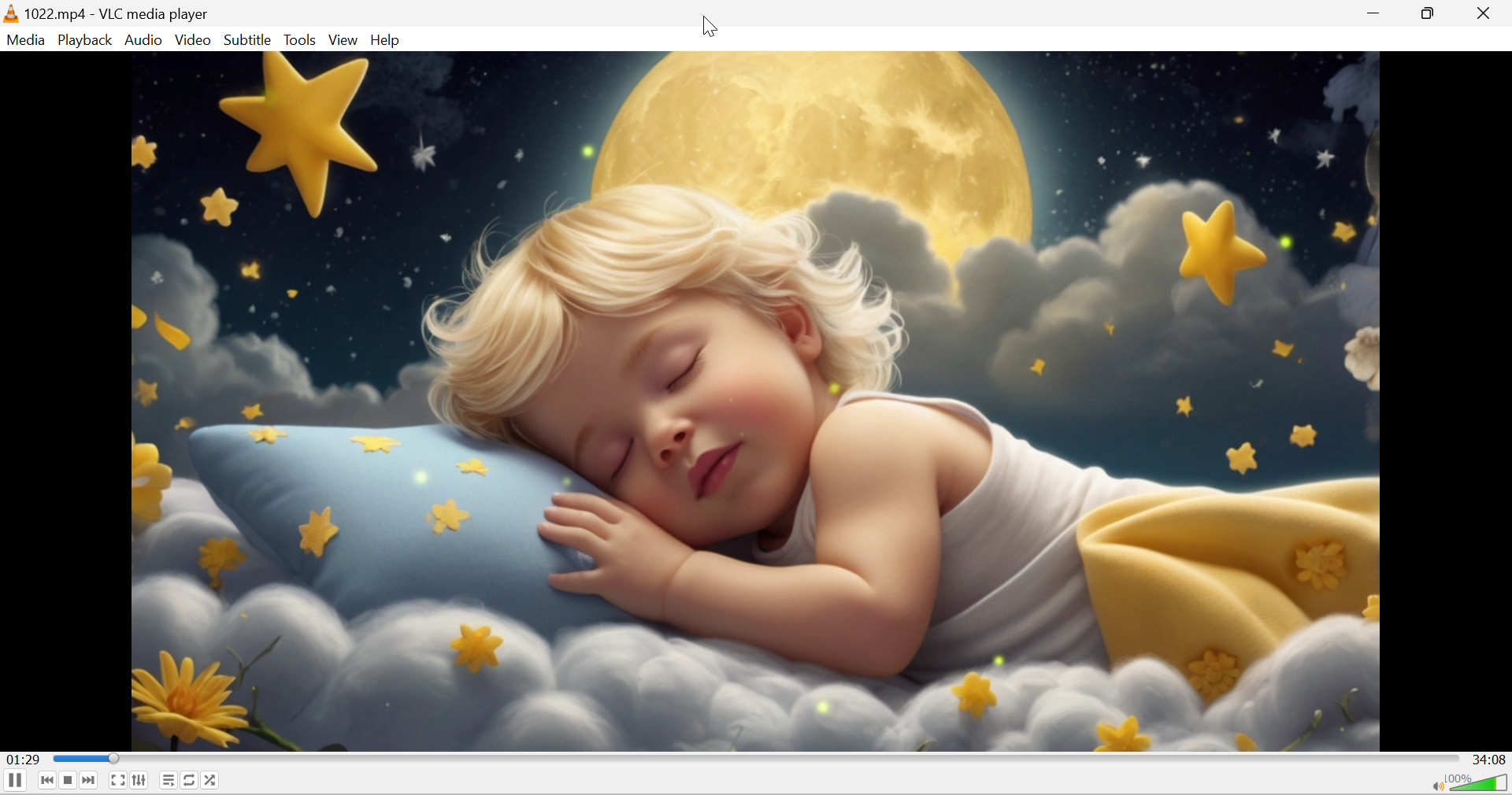 This screenshot has height=795, width=1512. I want to click on Playback, so click(87, 40).